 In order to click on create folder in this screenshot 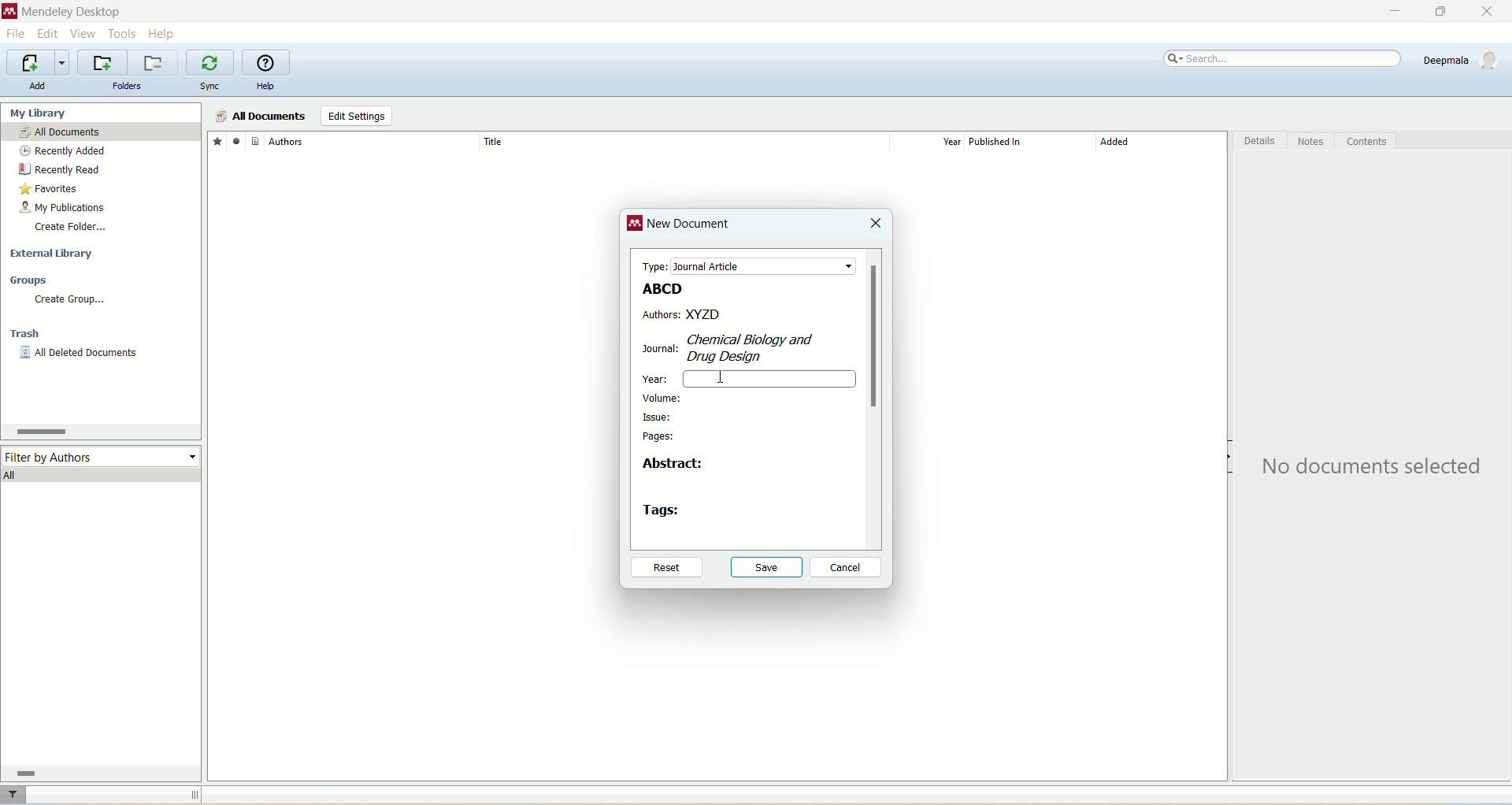, I will do `click(70, 226)`.